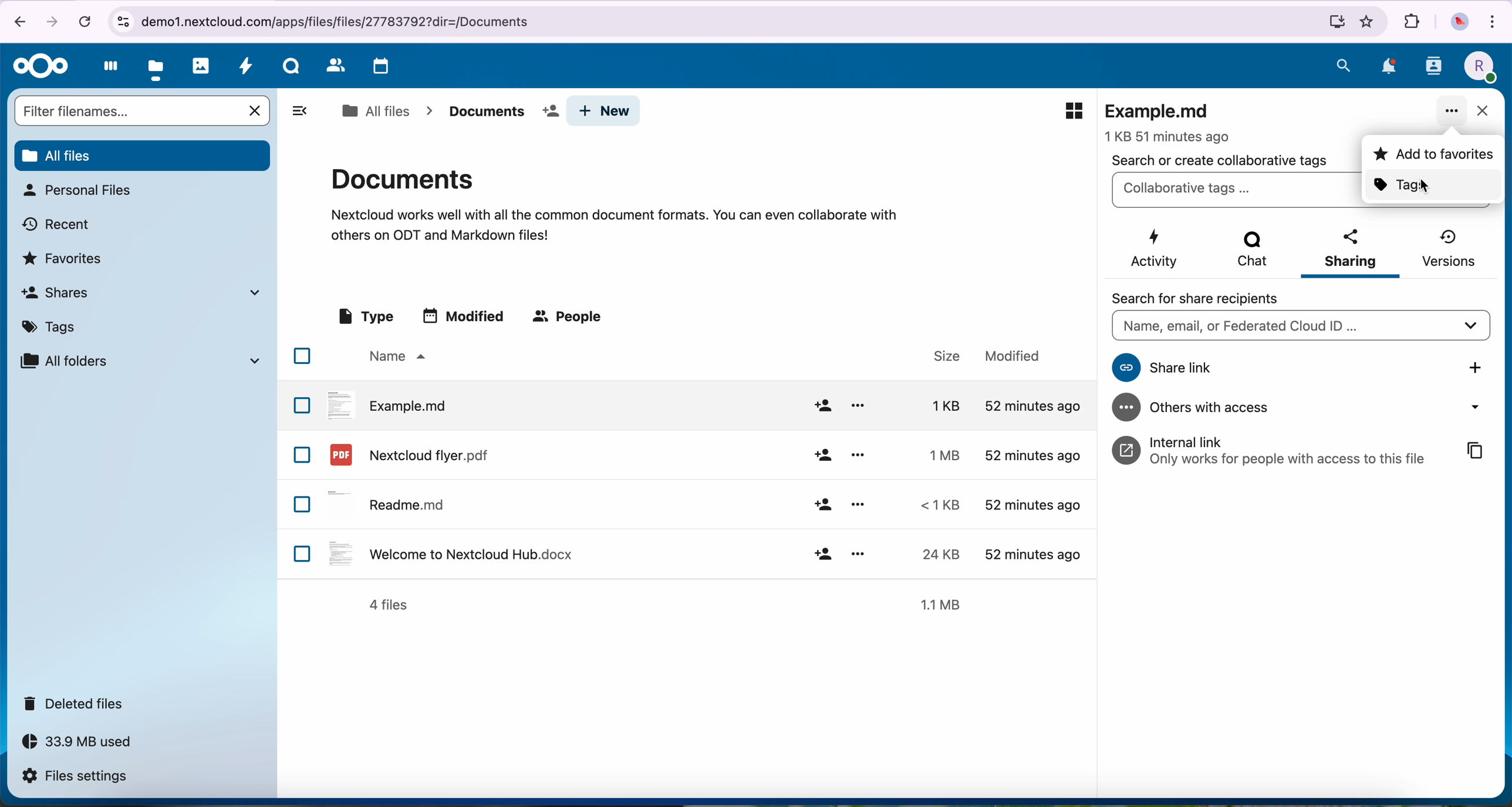 The image size is (1512, 807). Describe the element at coordinates (570, 318) in the screenshot. I see `people` at that location.